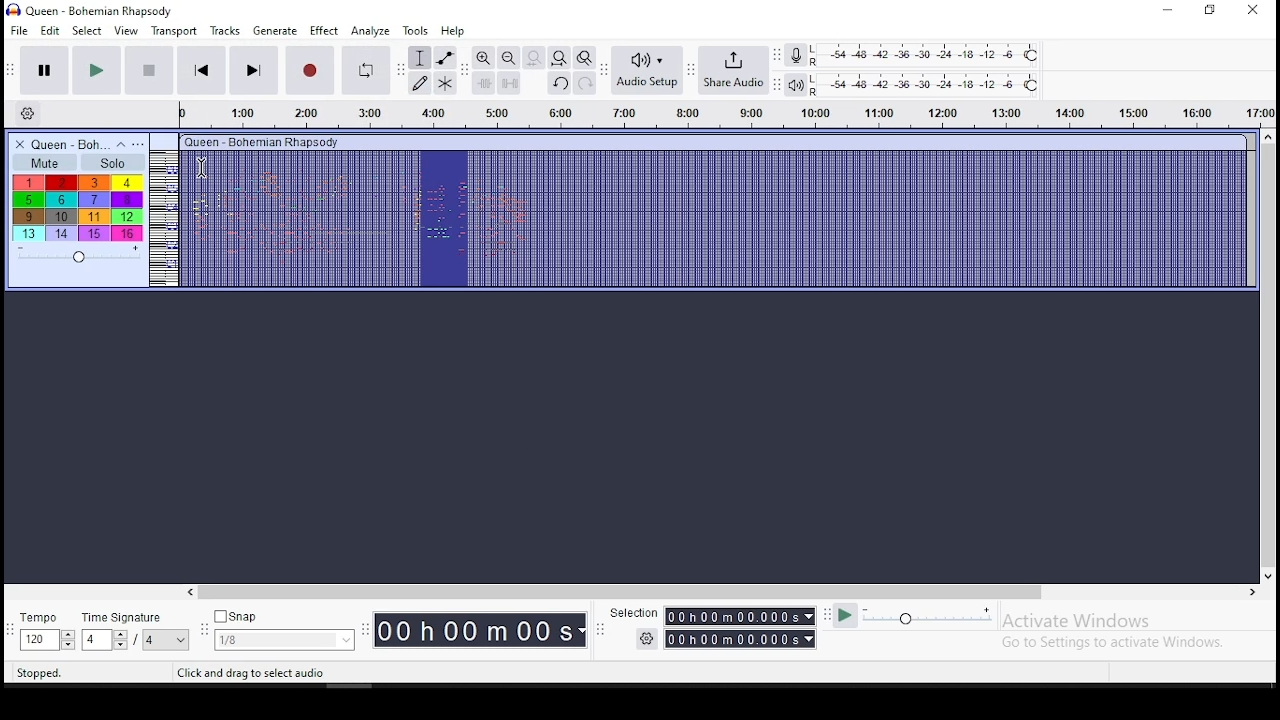 Image resolution: width=1280 pixels, height=720 pixels. I want to click on transport, so click(173, 30).